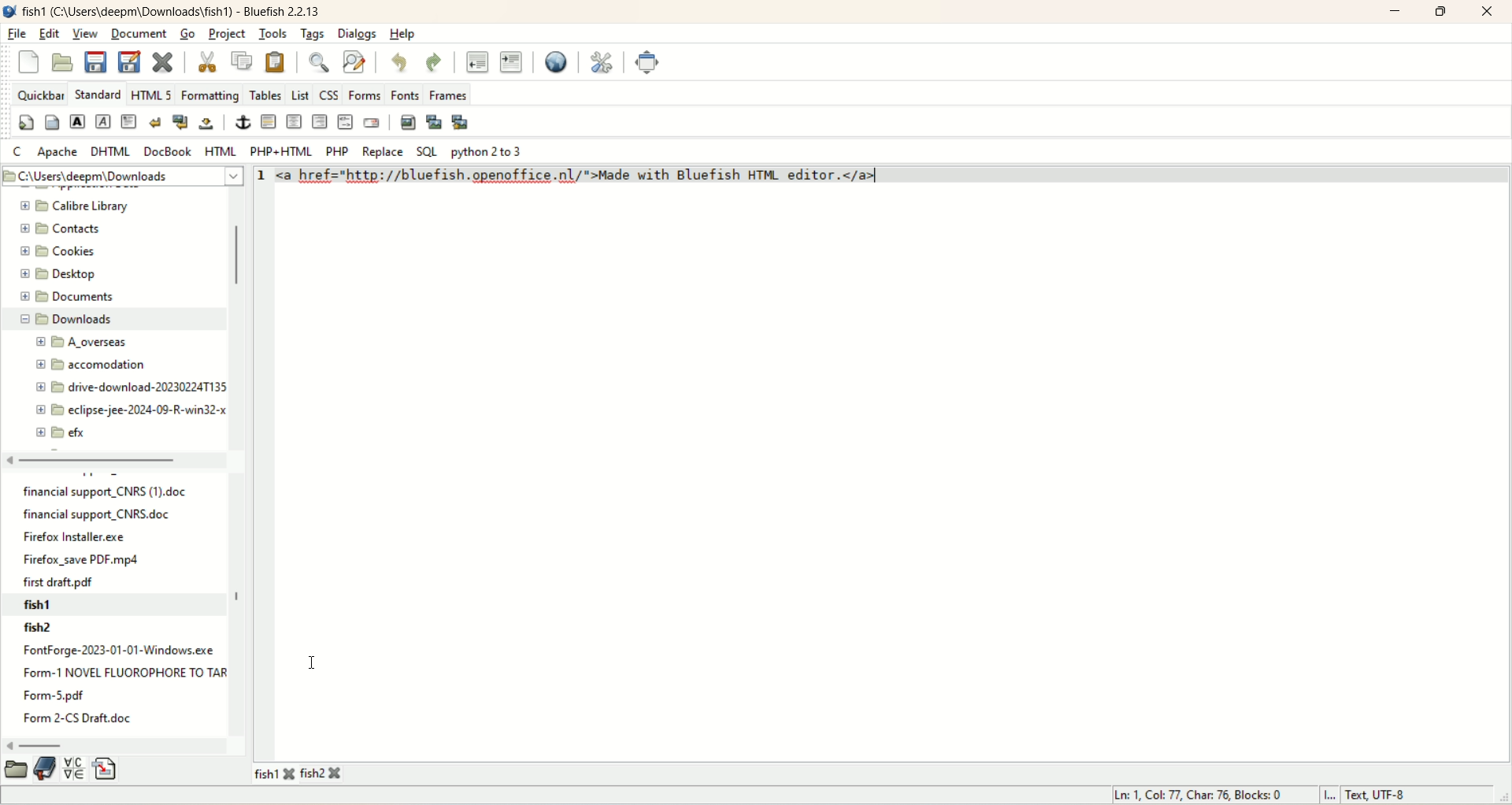 This screenshot has width=1512, height=805. I want to click on python 2 to 3, so click(488, 153).